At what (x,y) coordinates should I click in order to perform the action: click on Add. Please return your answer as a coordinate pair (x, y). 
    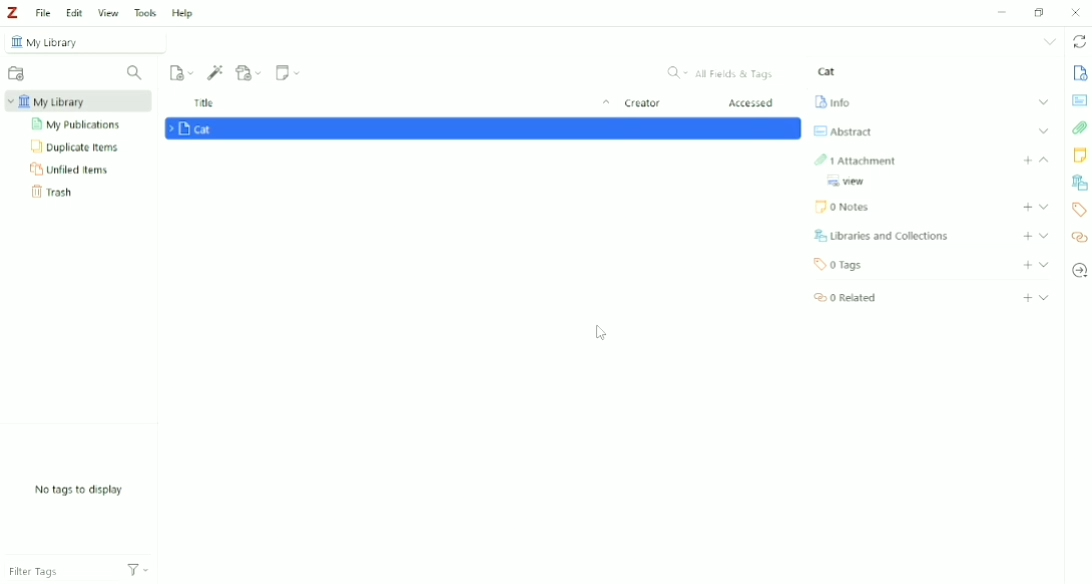
    Looking at the image, I should click on (1027, 204).